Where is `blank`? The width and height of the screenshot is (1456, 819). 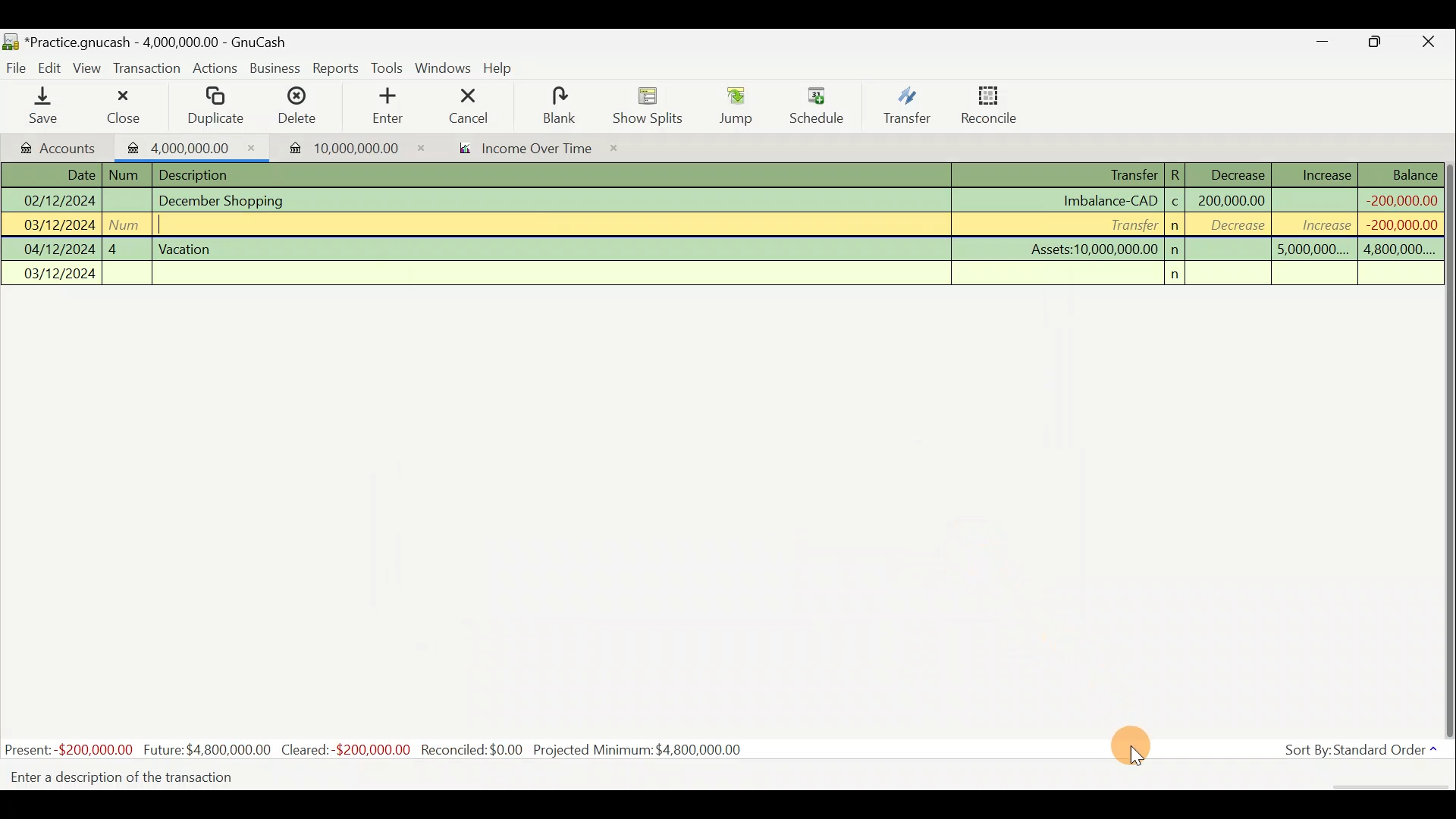 blank is located at coordinates (570, 105).